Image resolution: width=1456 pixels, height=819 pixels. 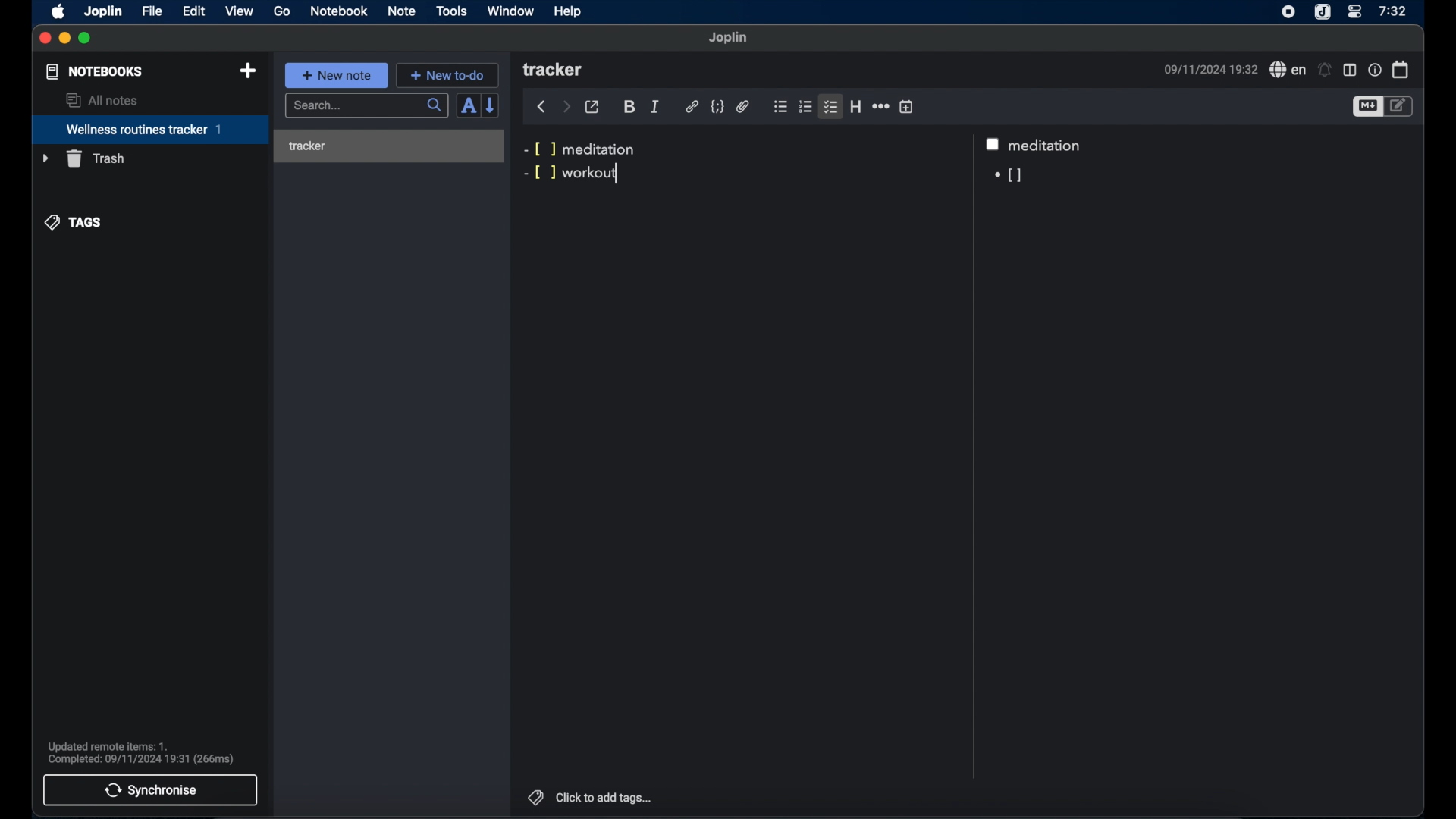 What do you see at coordinates (389, 148) in the screenshot?
I see `tracker` at bounding box center [389, 148].